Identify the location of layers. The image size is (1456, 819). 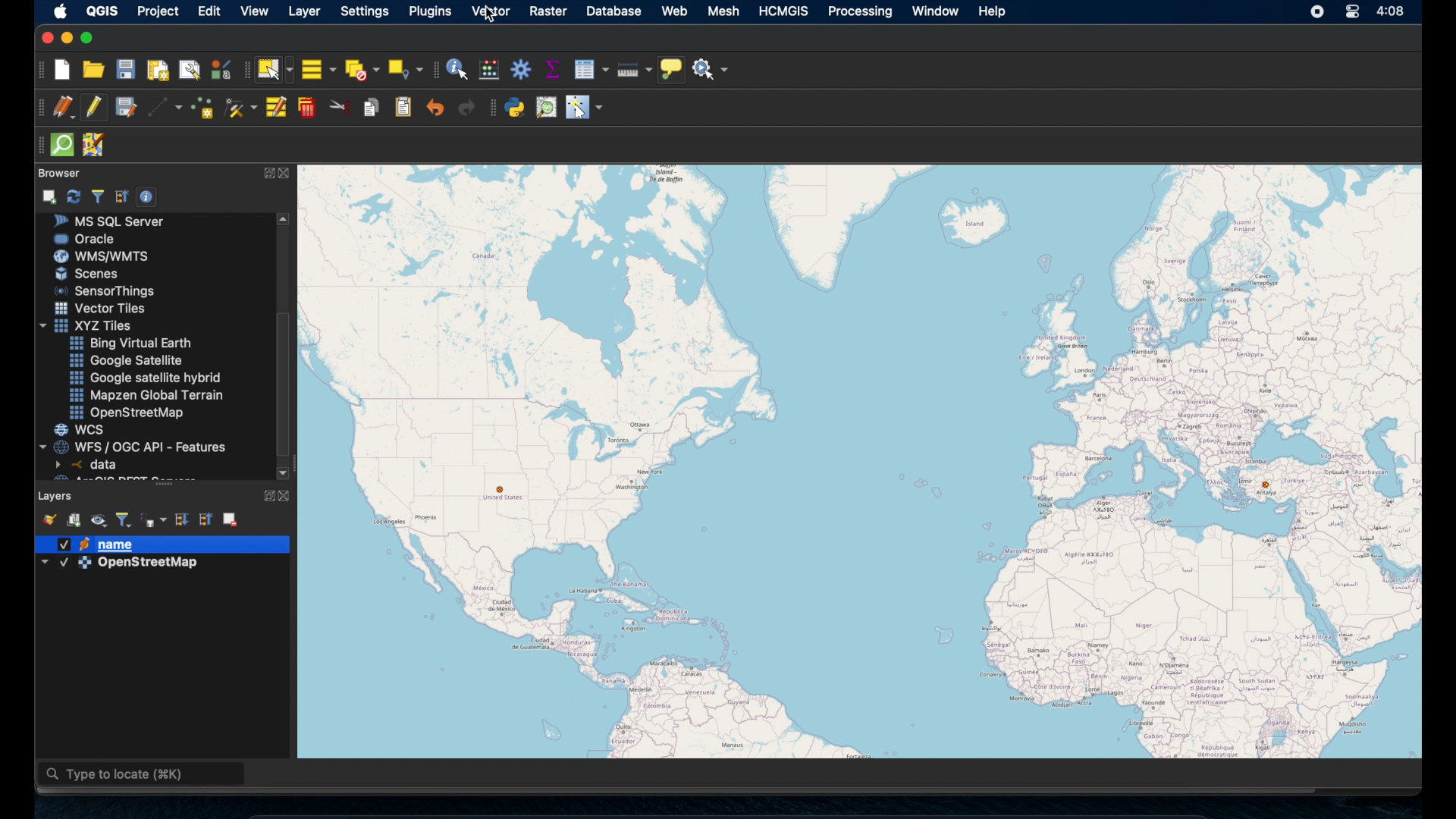
(56, 494).